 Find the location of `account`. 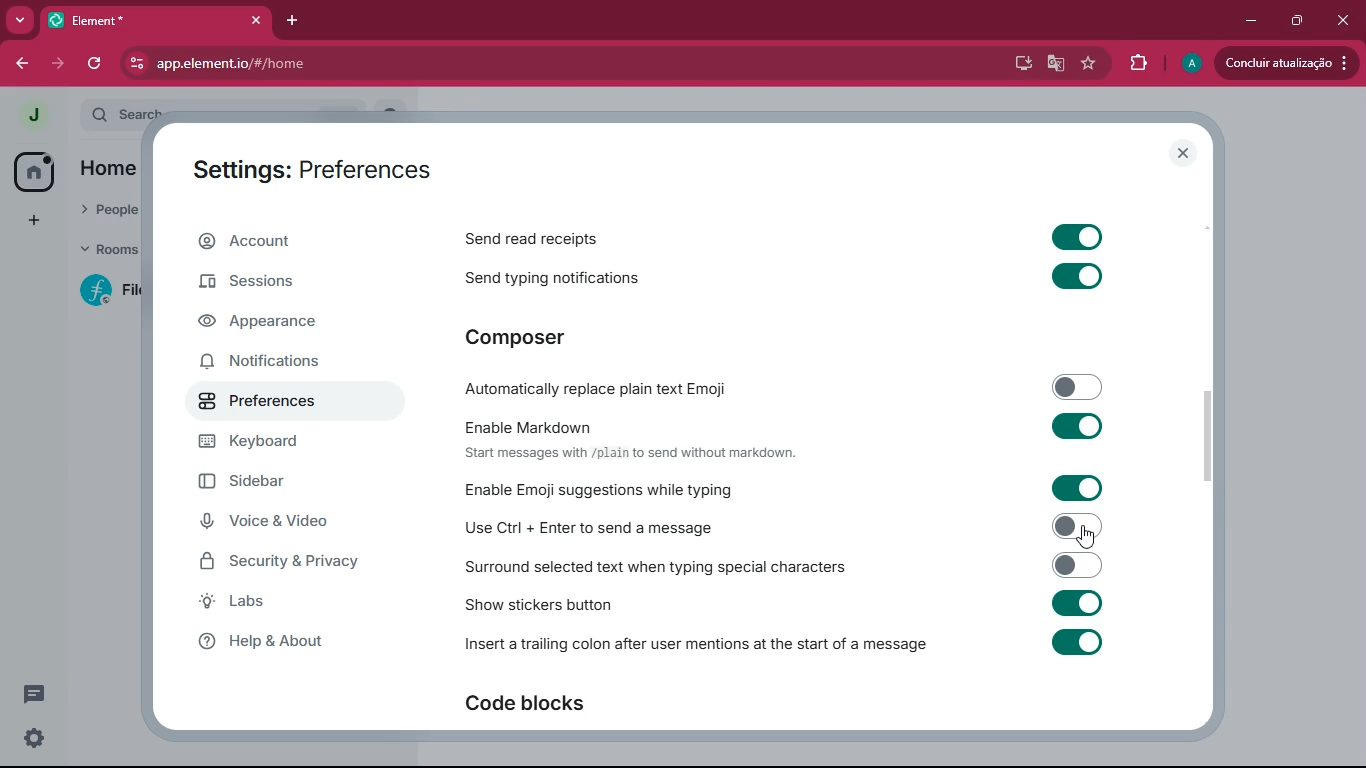

account is located at coordinates (290, 242).